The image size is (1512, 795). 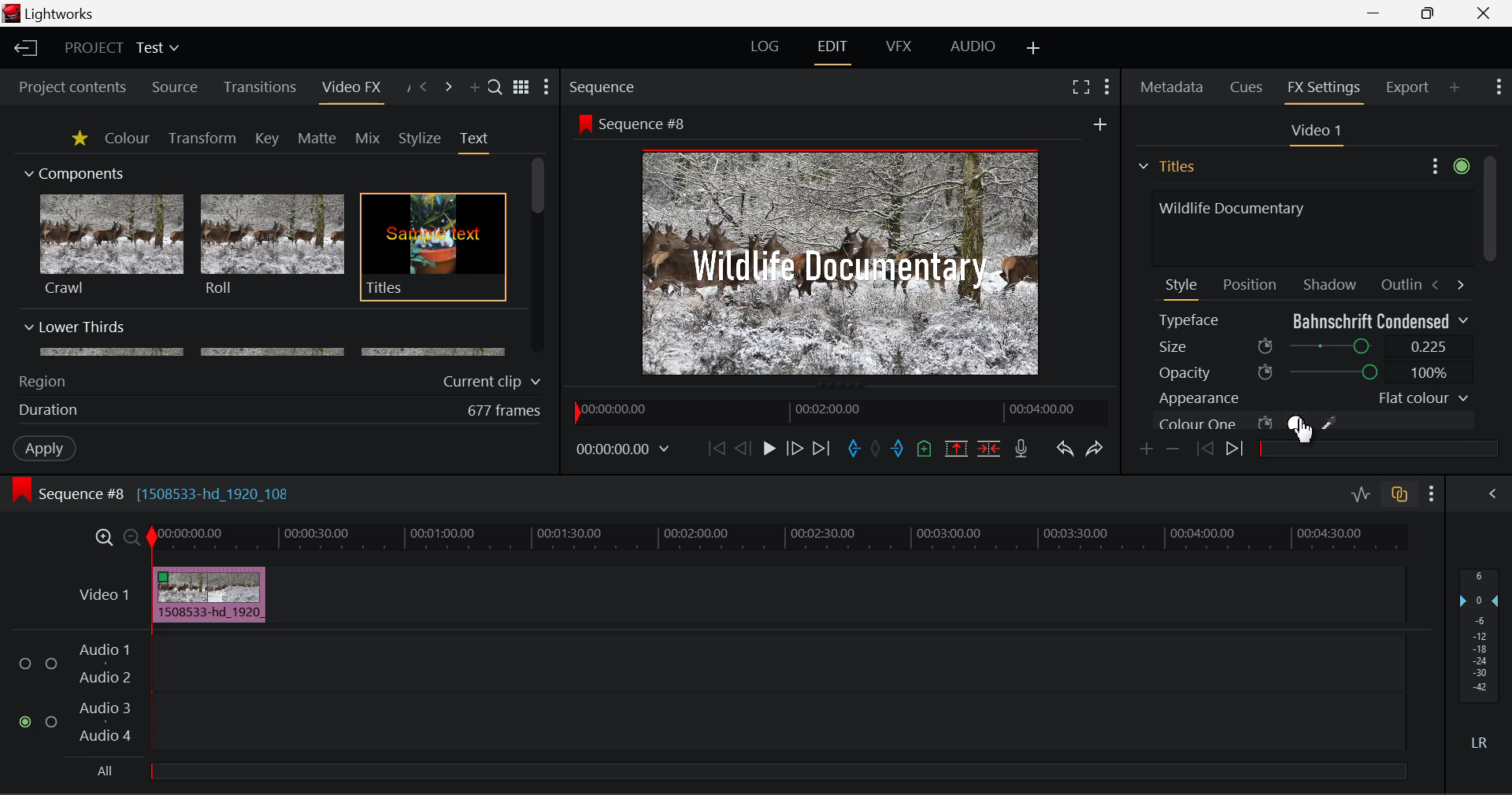 I want to click on All, so click(x=106, y=771).